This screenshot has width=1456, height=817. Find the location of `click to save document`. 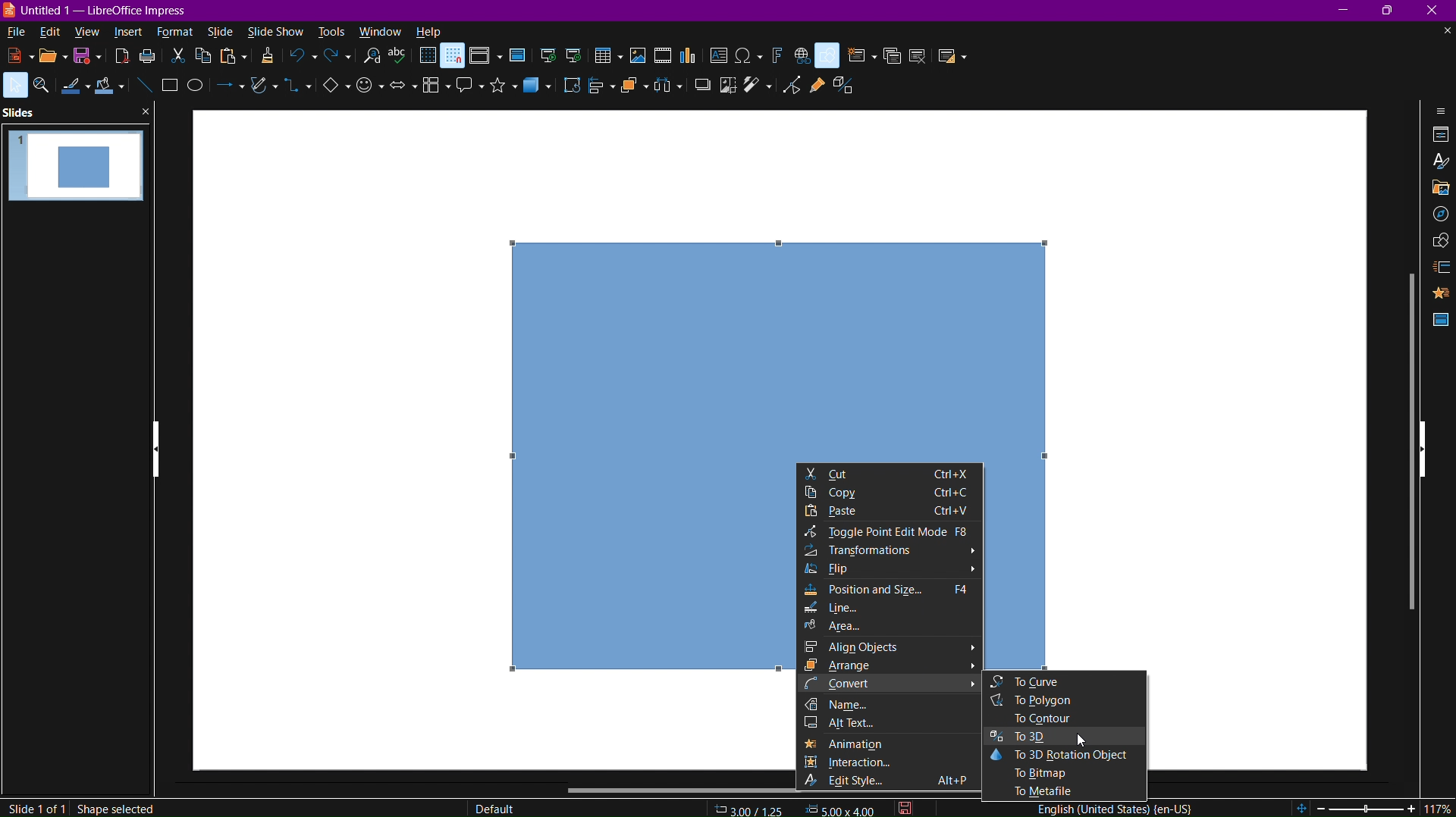

click to save document is located at coordinates (904, 808).